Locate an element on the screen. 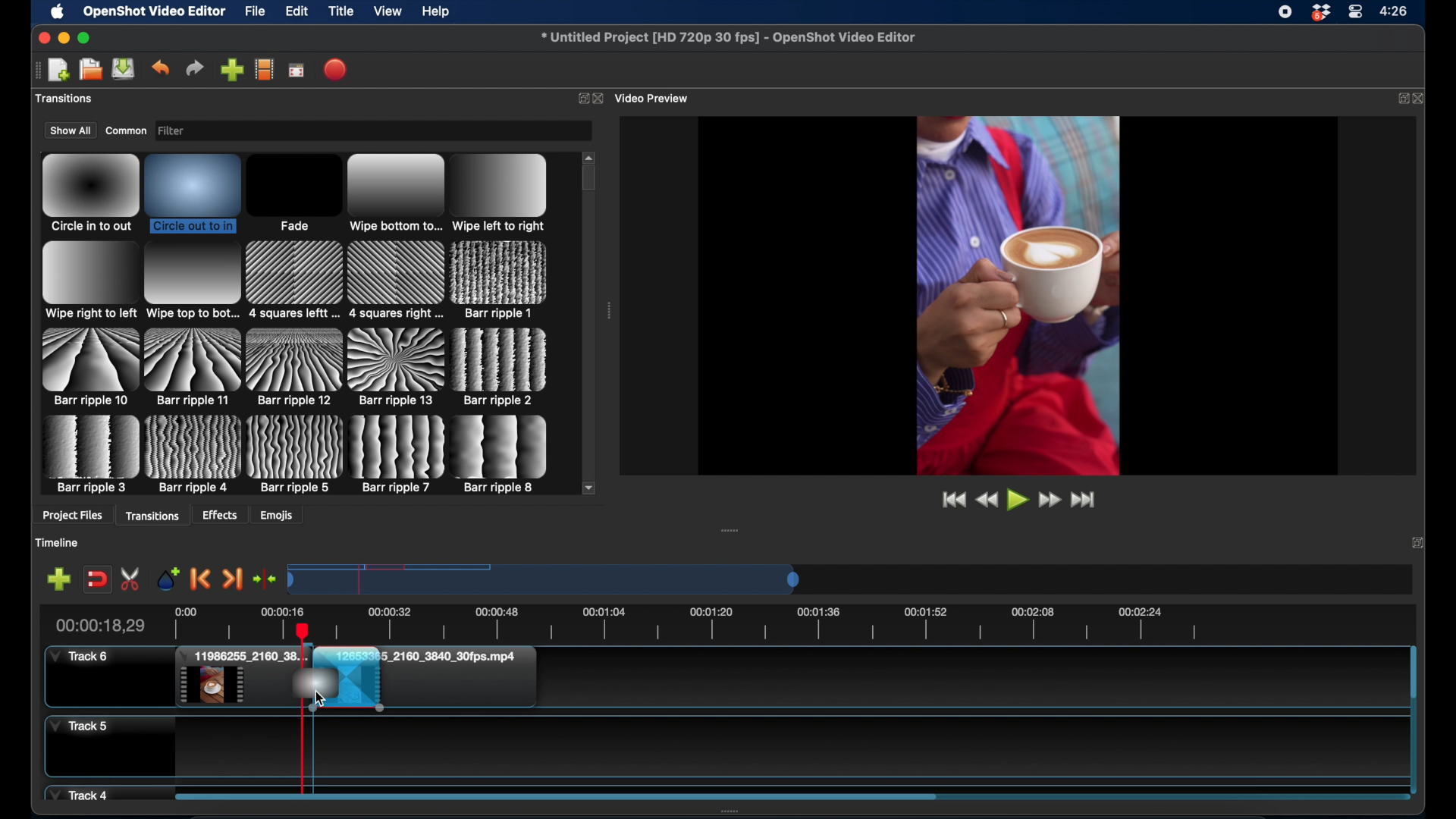 This screenshot has height=819, width=1456. fast forward is located at coordinates (1049, 500).